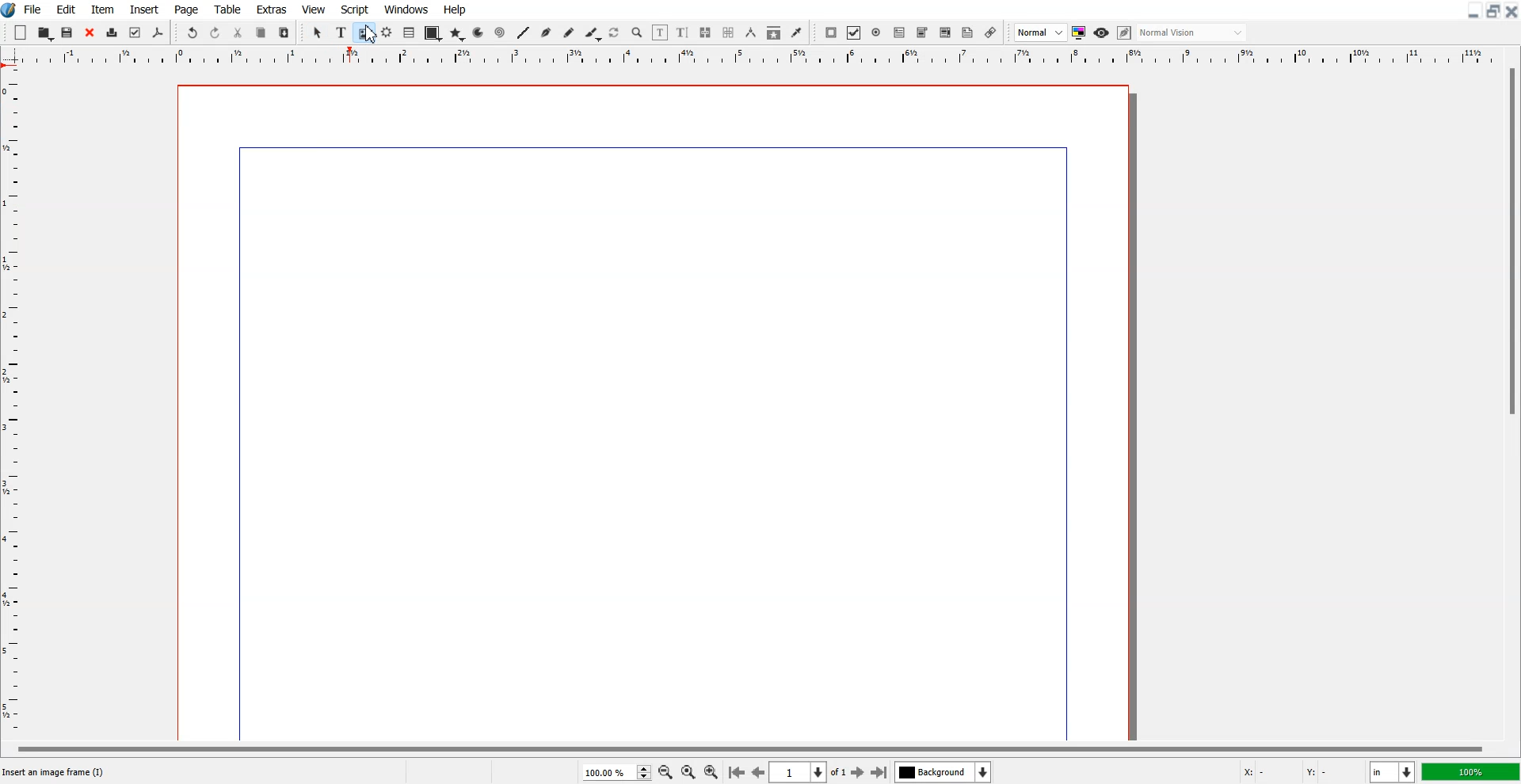  I want to click on Image Frame, so click(364, 32).